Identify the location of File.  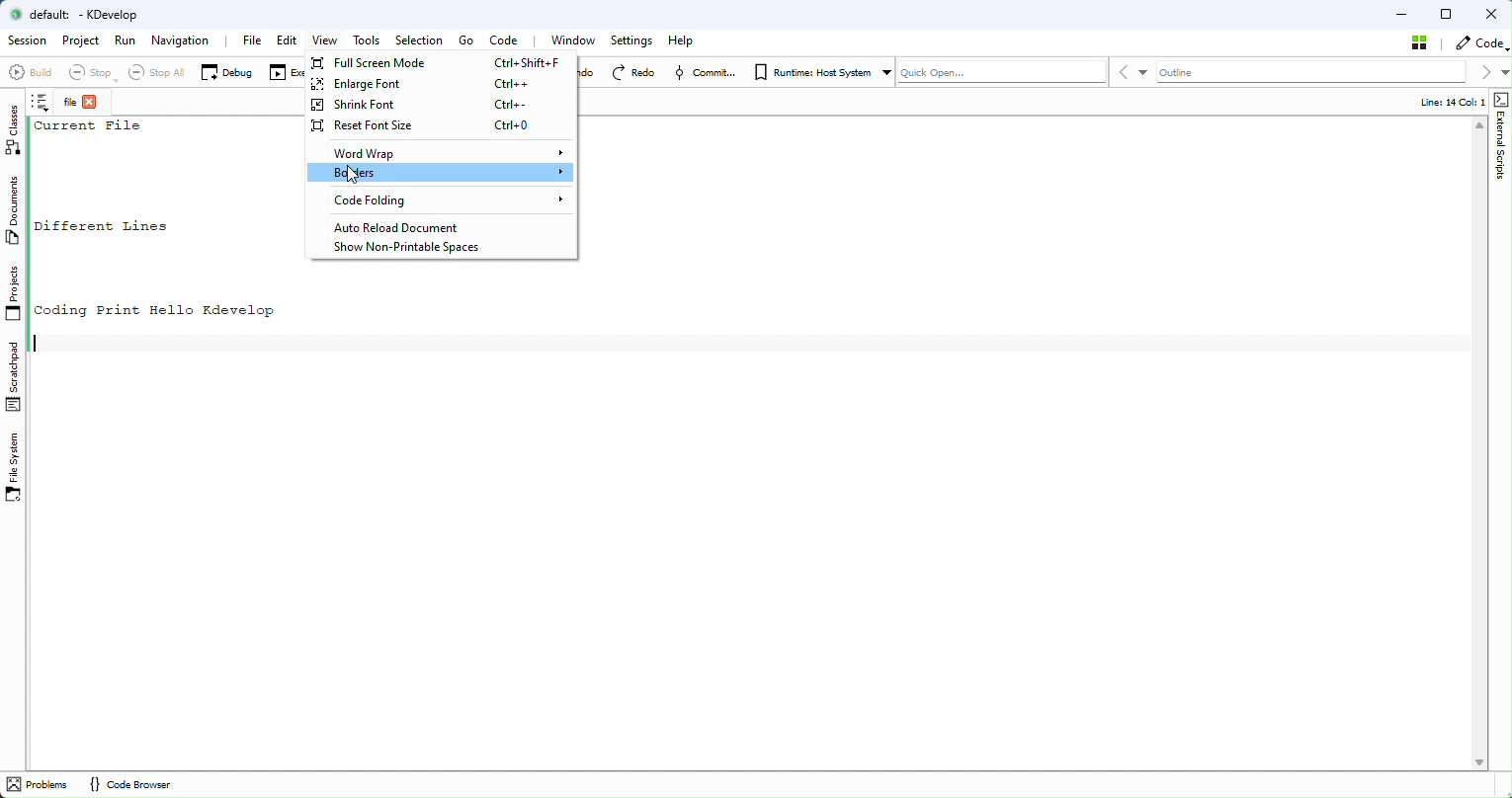
(252, 40).